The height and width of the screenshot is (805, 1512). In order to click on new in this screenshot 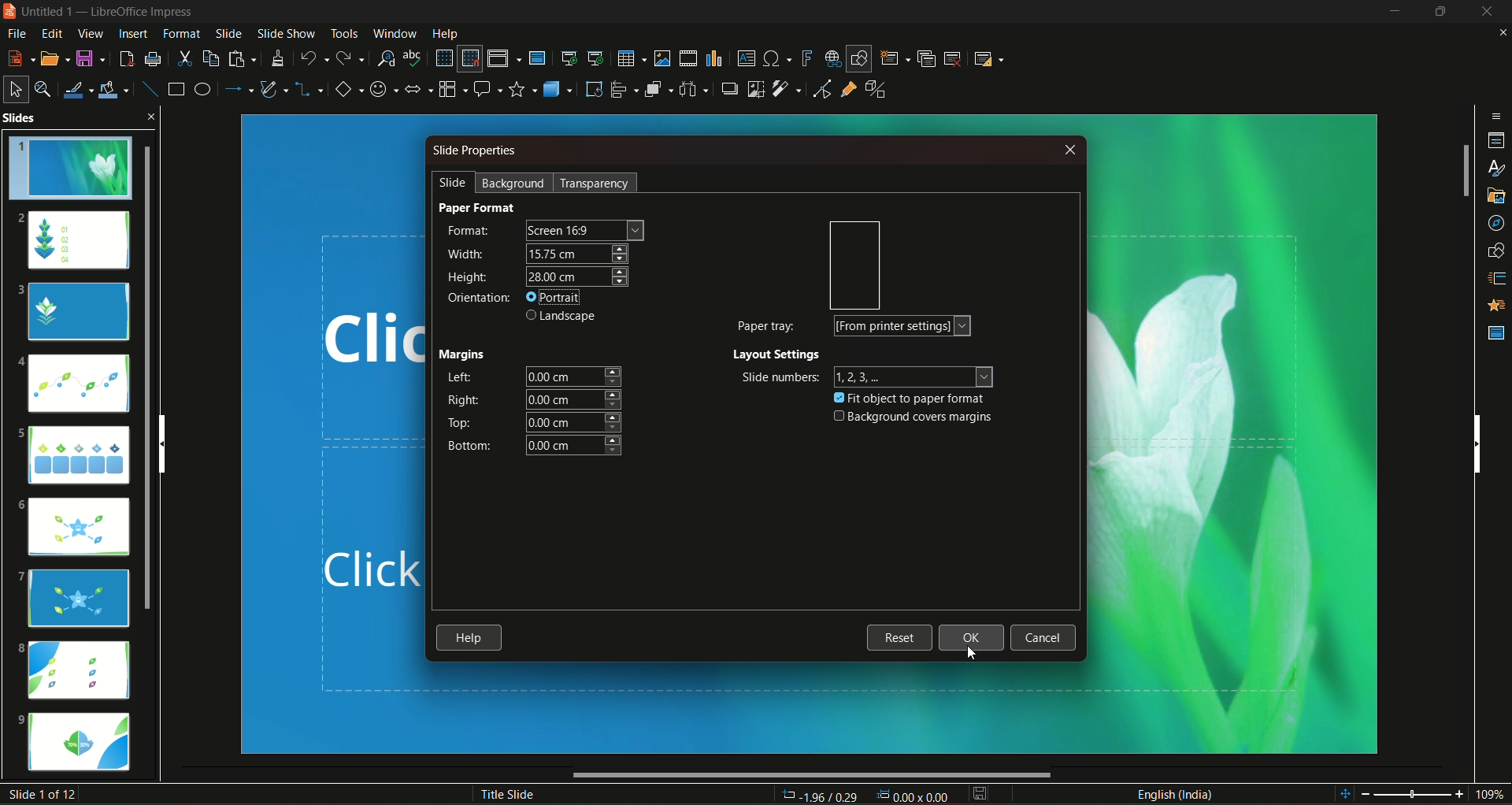, I will do `click(20, 57)`.